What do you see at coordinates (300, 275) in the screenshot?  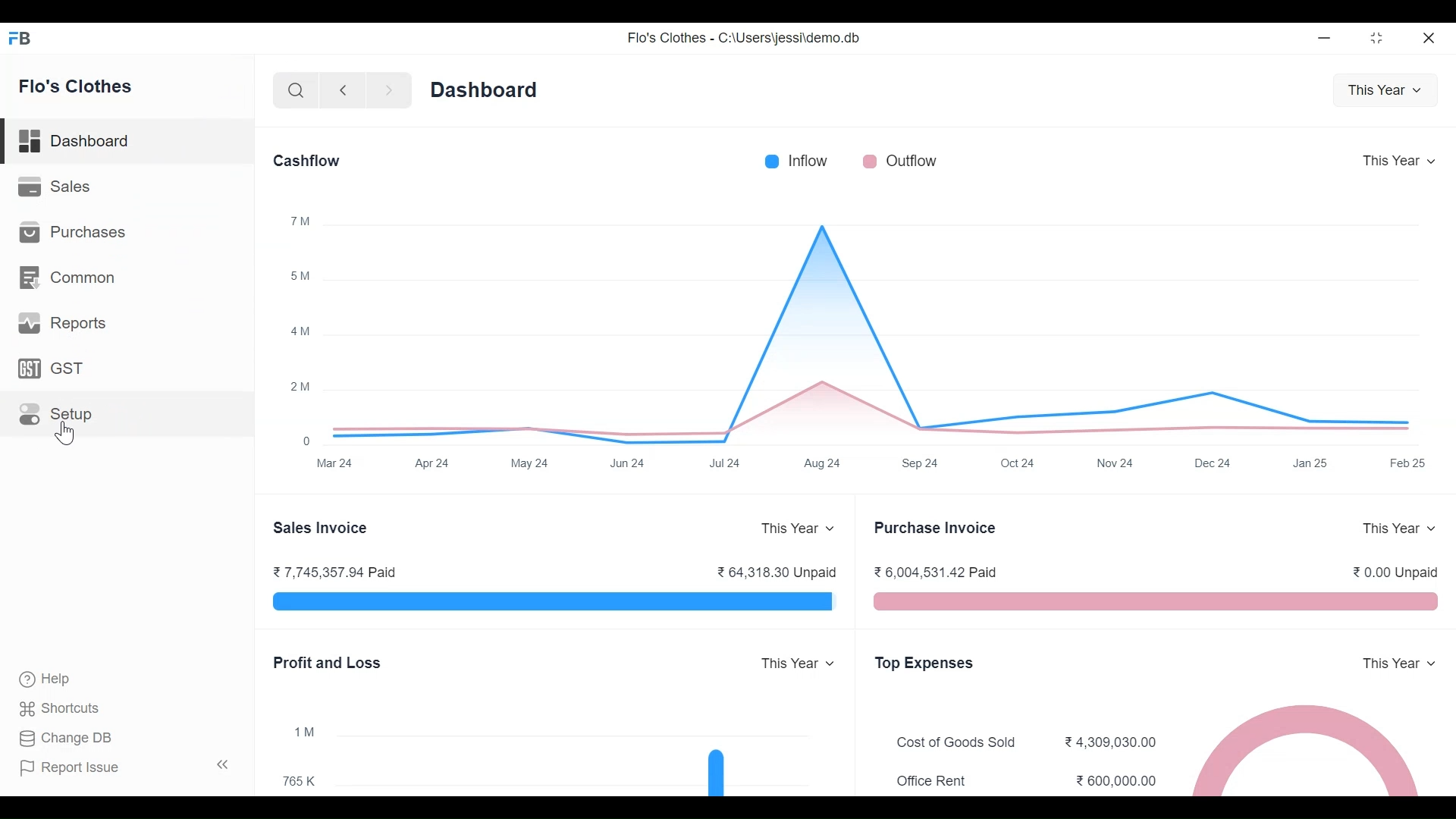 I see `5M` at bounding box center [300, 275].